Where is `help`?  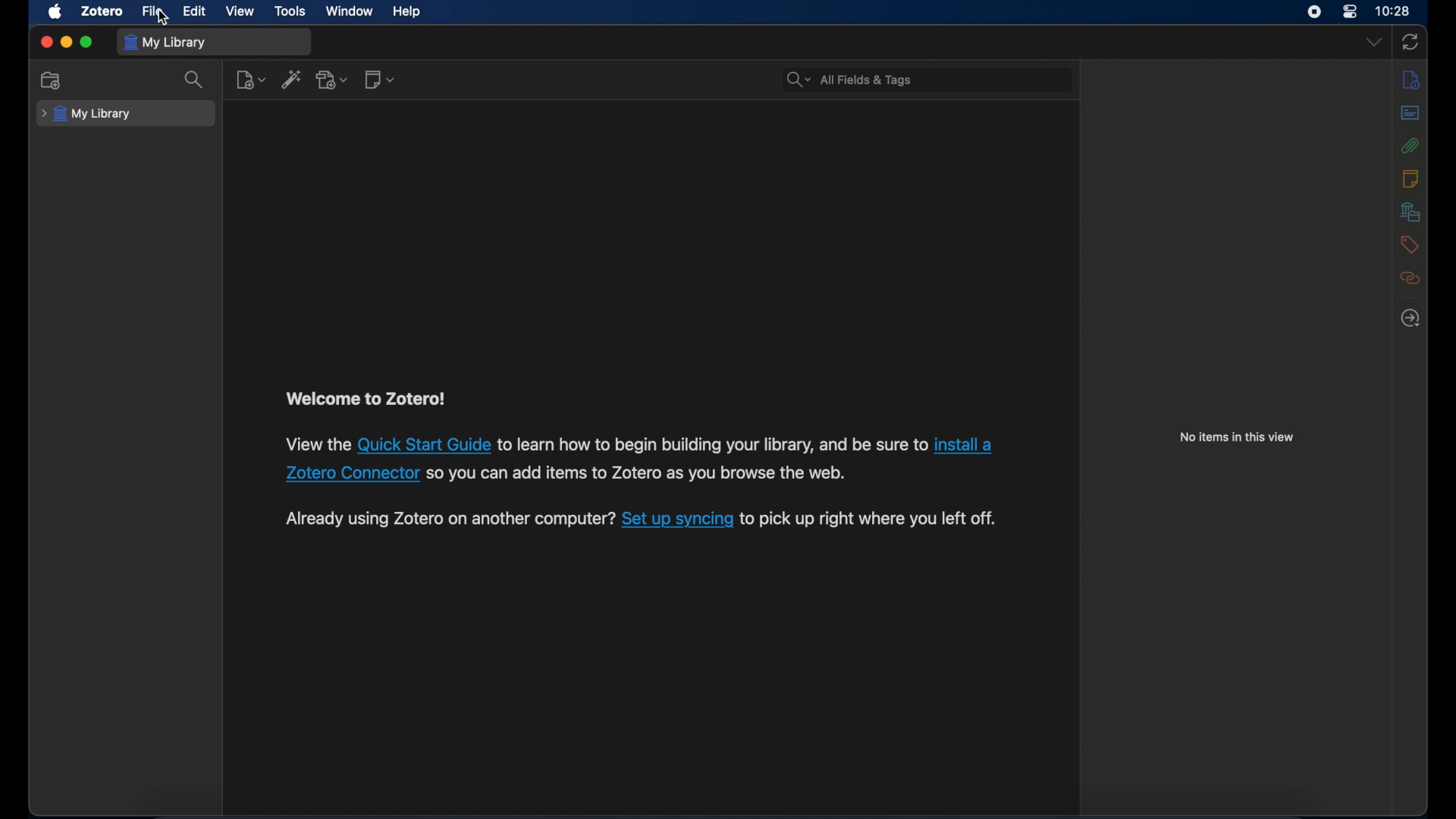
help is located at coordinates (406, 11).